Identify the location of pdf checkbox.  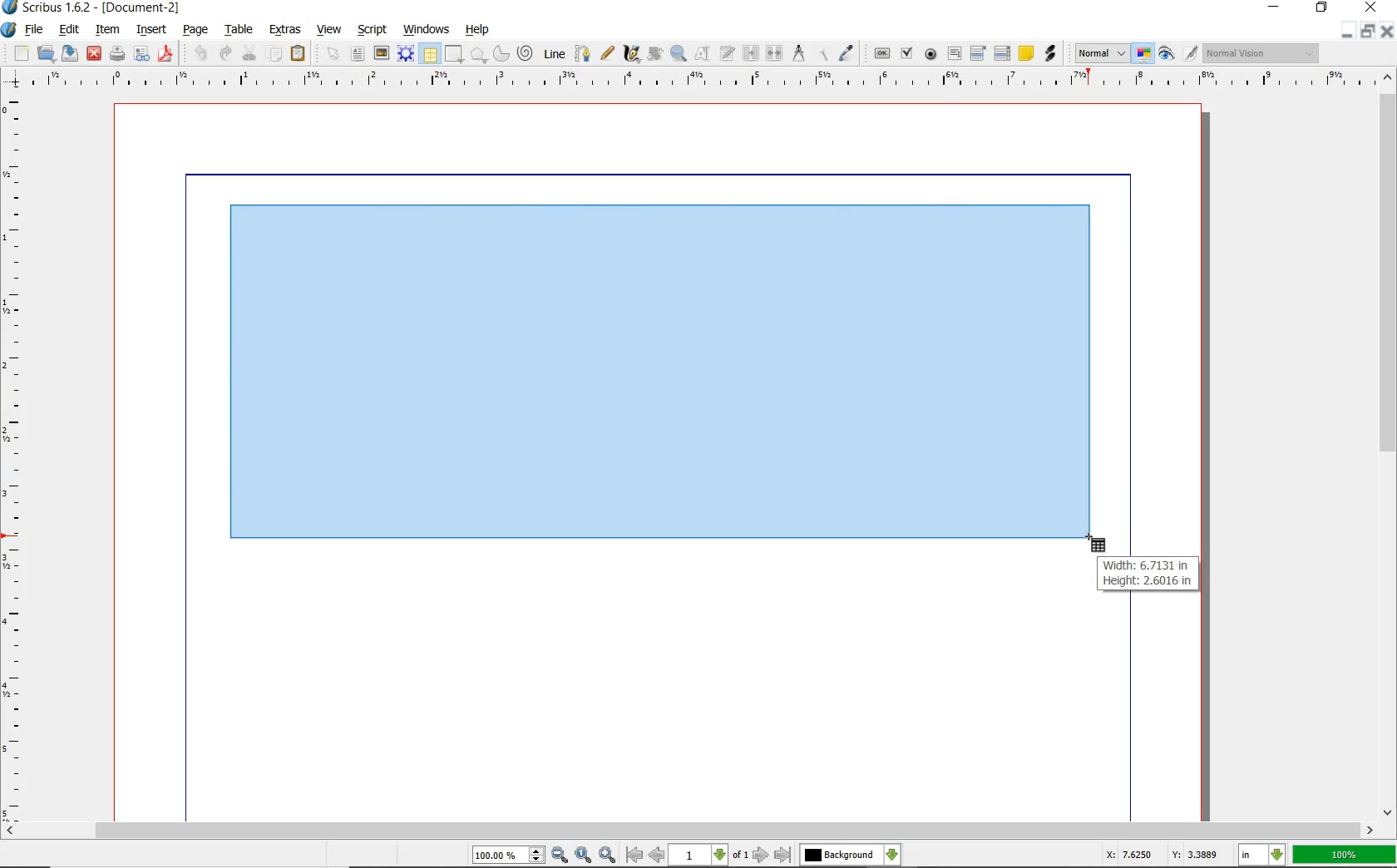
(905, 53).